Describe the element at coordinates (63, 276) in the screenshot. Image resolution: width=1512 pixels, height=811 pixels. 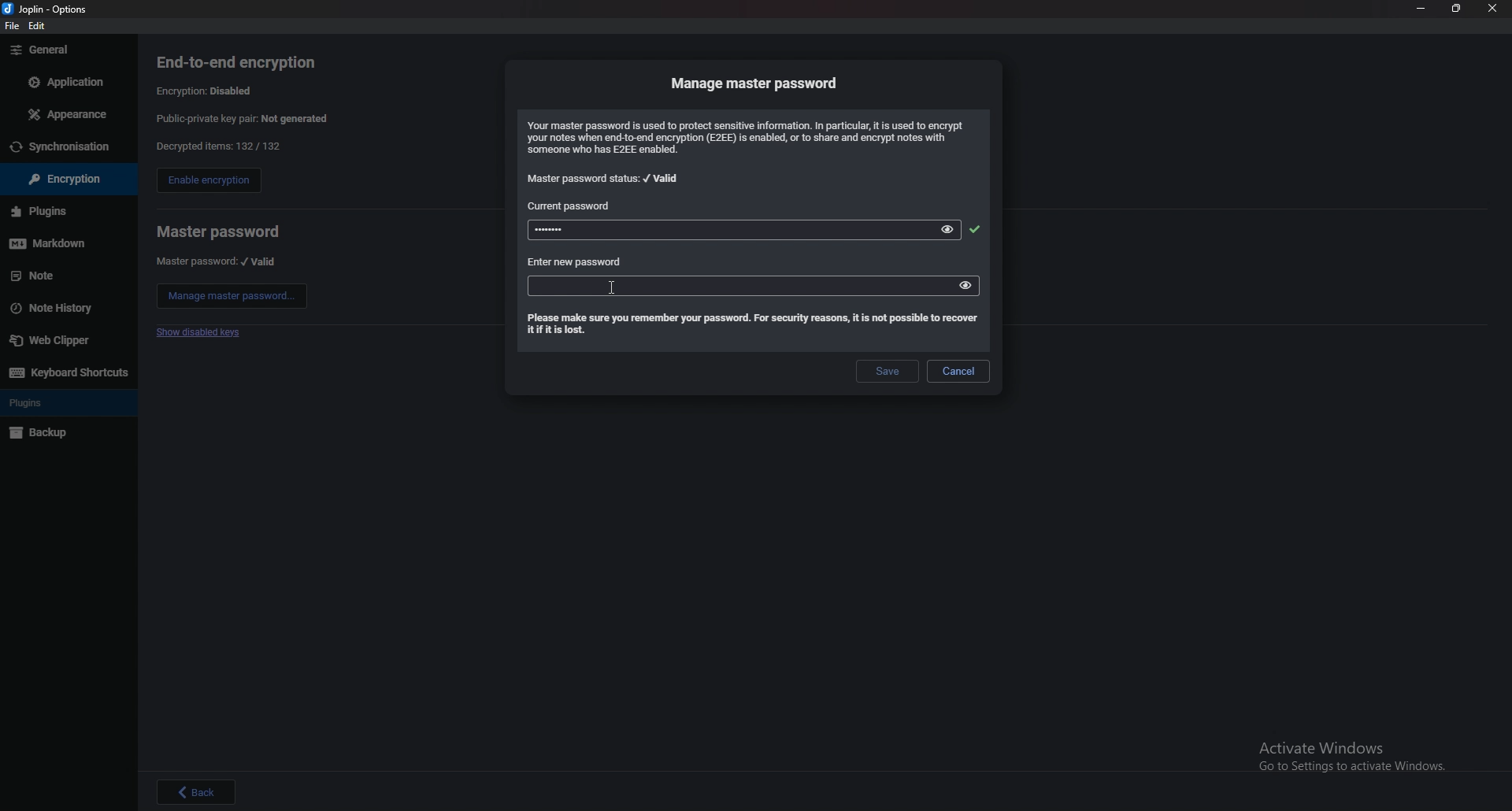
I see `note` at that location.